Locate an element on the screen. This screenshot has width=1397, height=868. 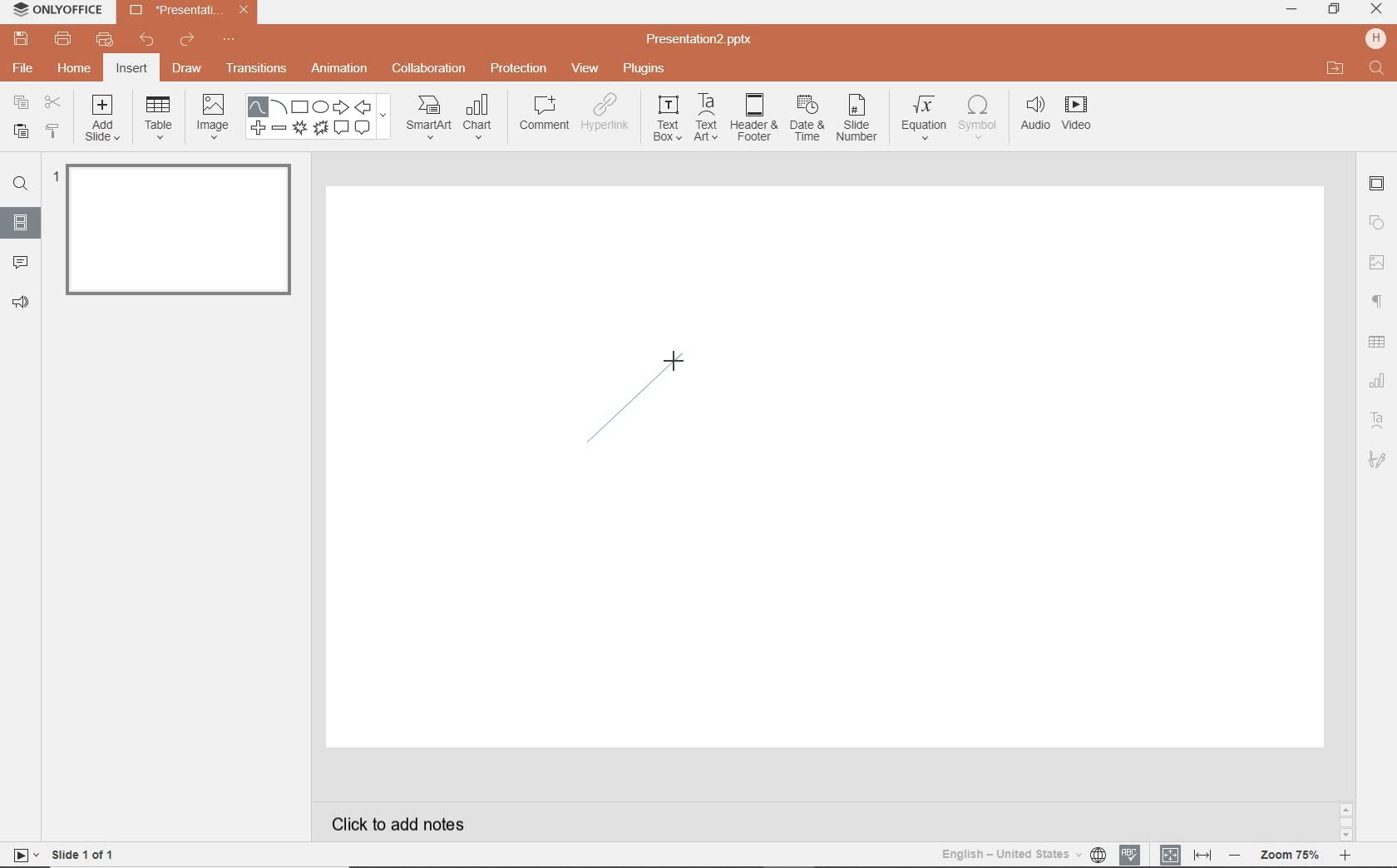
COPY is located at coordinates (17, 102).